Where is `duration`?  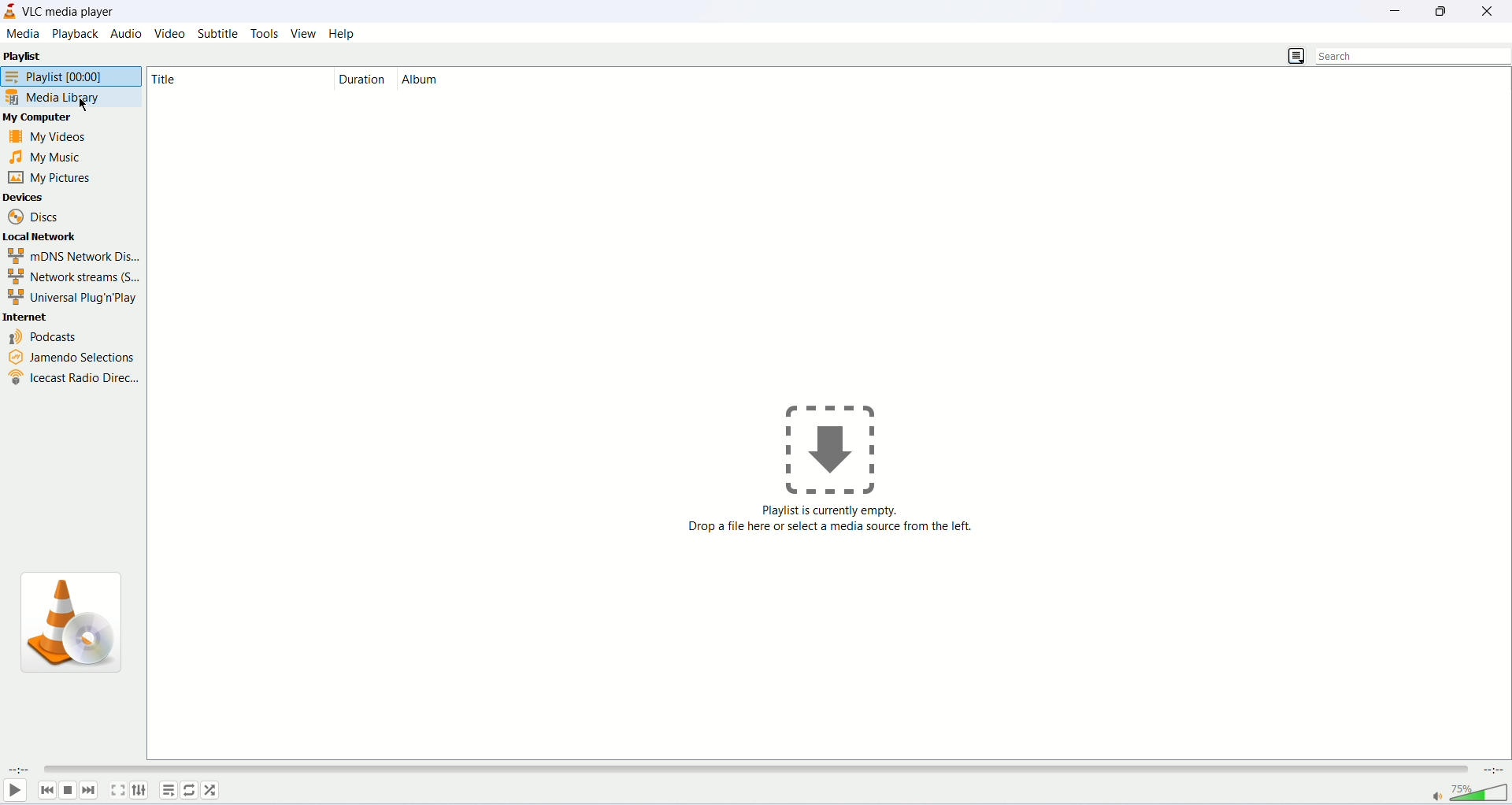 duration is located at coordinates (365, 80).